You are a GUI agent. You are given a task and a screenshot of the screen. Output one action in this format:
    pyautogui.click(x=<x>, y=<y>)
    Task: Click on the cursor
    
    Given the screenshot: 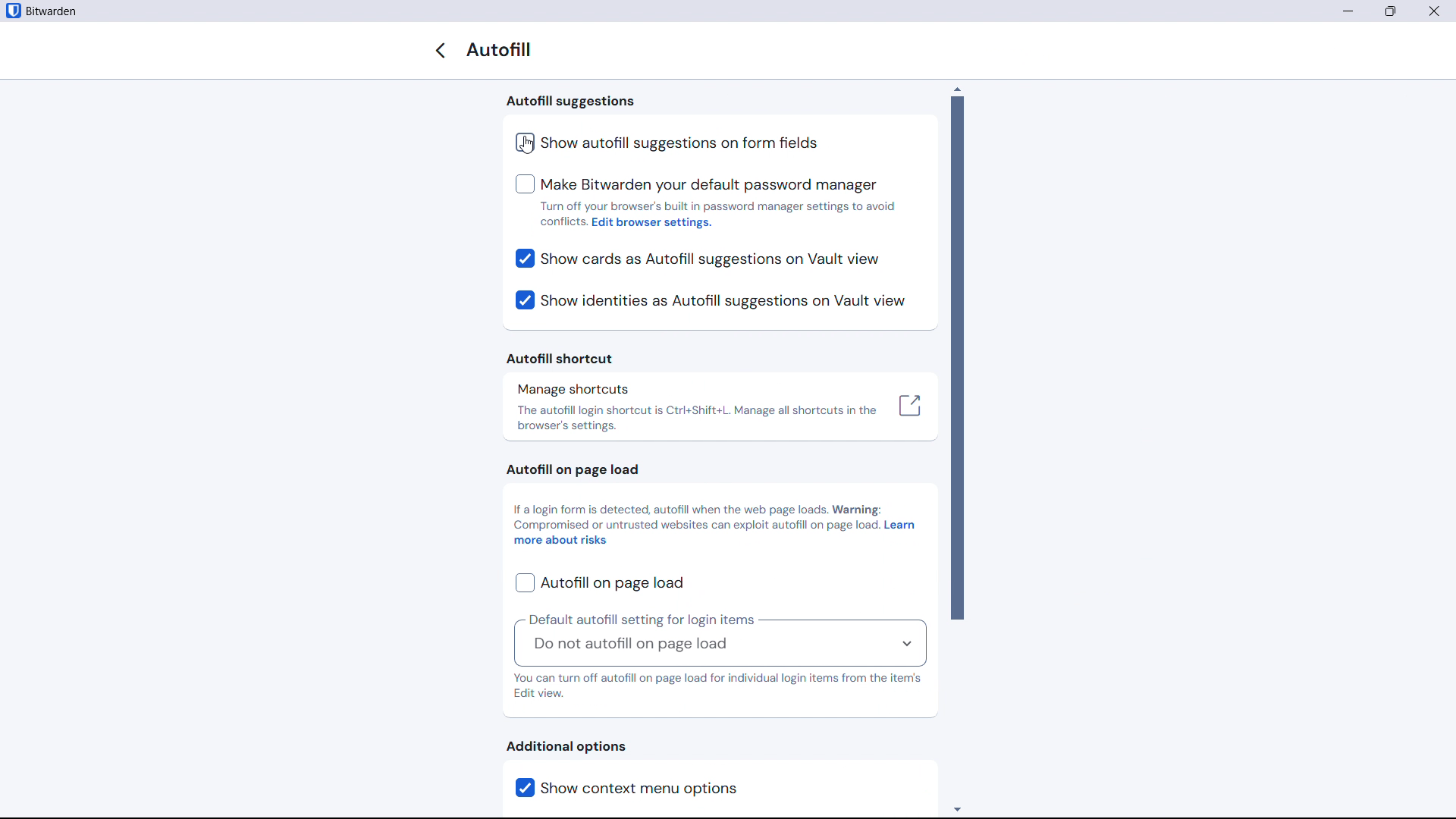 What is the action you would take?
    pyautogui.click(x=526, y=146)
    